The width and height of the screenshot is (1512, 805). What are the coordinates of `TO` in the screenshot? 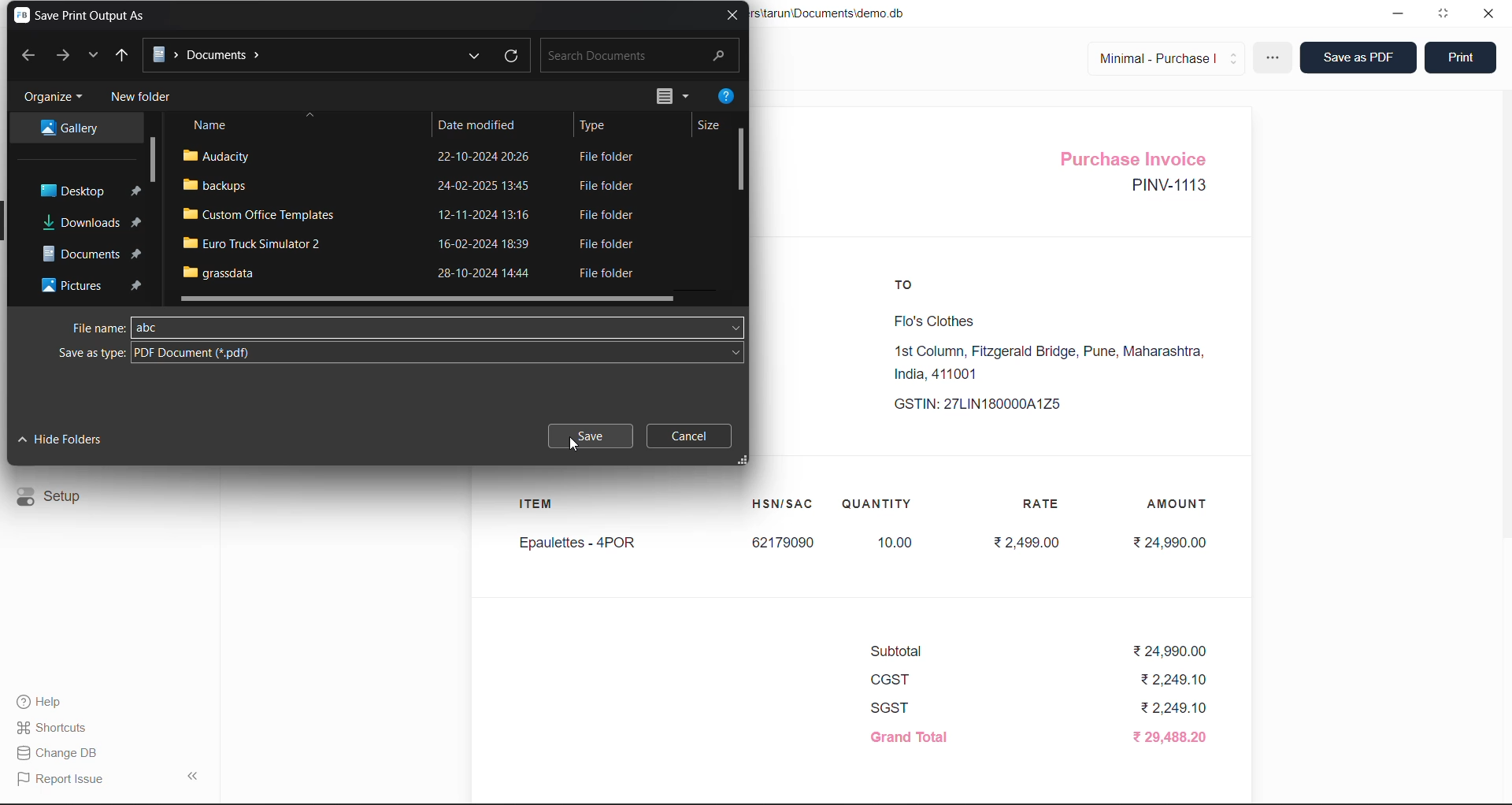 It's located at (910, 289).